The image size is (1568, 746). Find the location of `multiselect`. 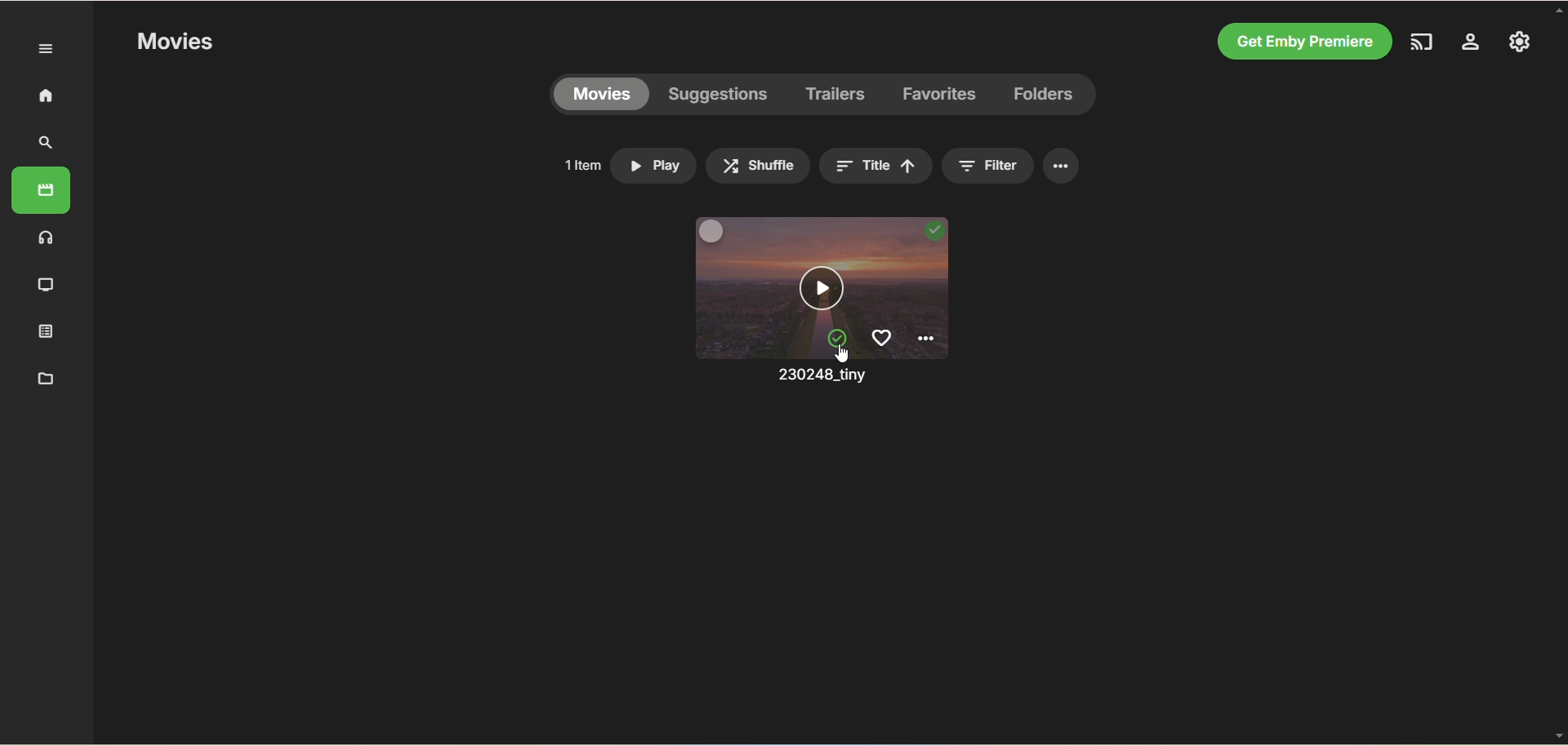

multiselect is located at coordinates (711, 233).